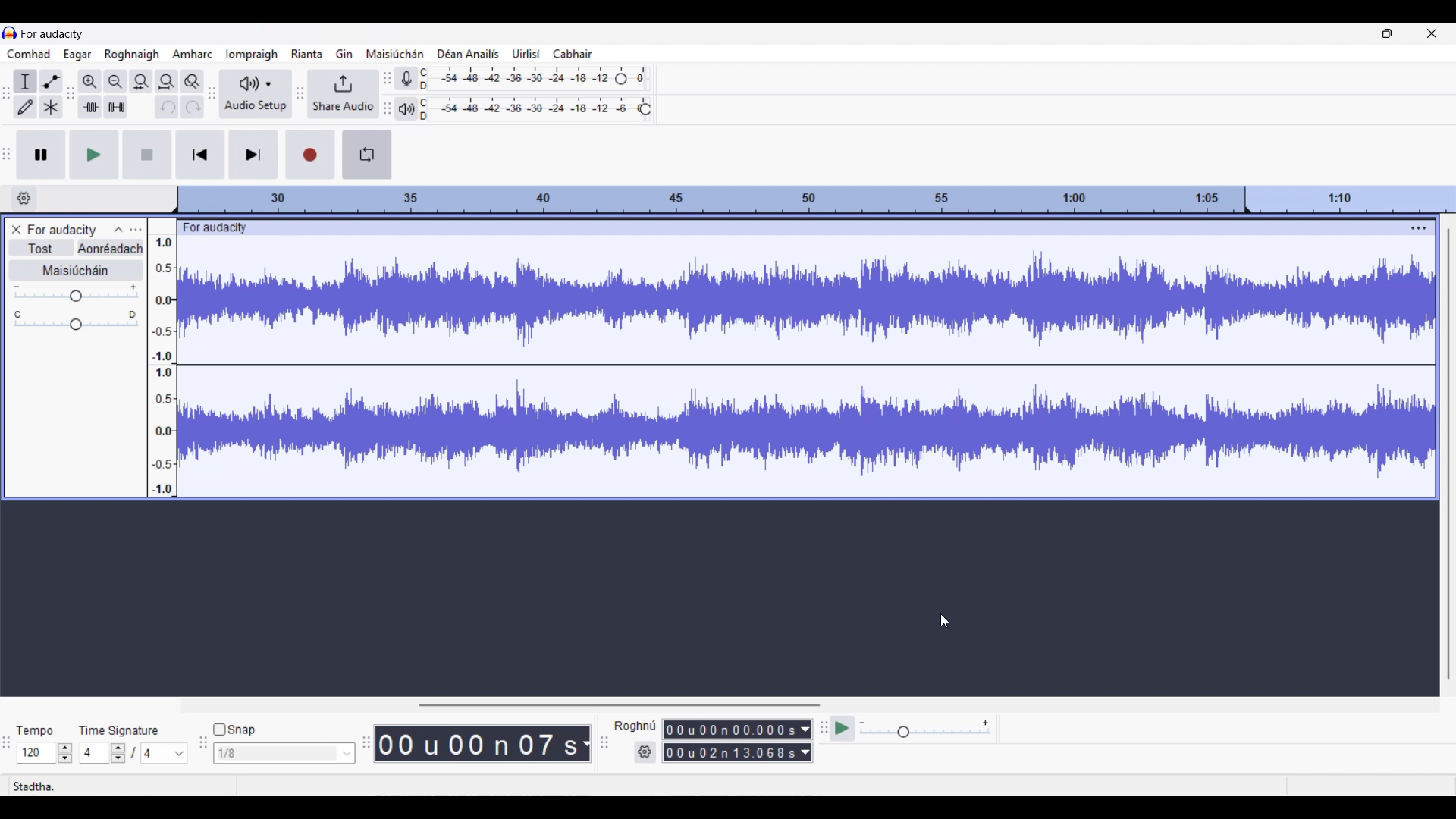 The height and width of the screenshot is (819, 1456). What do you see at coordinates (476, 743) in the screenshot?
I see `00 h 00 m 07 s` at bounding box center [476, 743].